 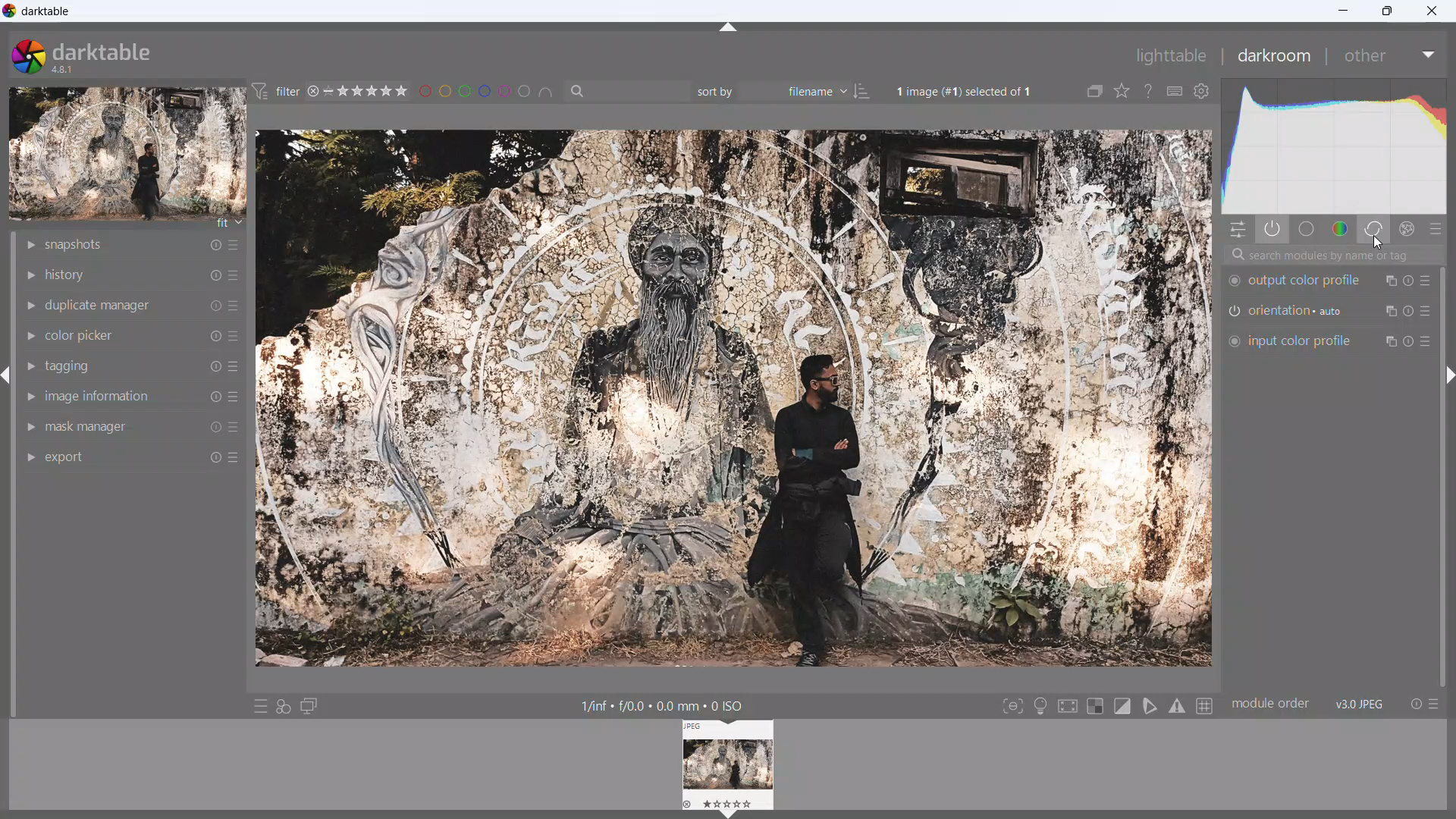 What do you see at coordinates (1235, 310) in the screenshot?
I see `switch on/off` at bounding box center [1235, 310].